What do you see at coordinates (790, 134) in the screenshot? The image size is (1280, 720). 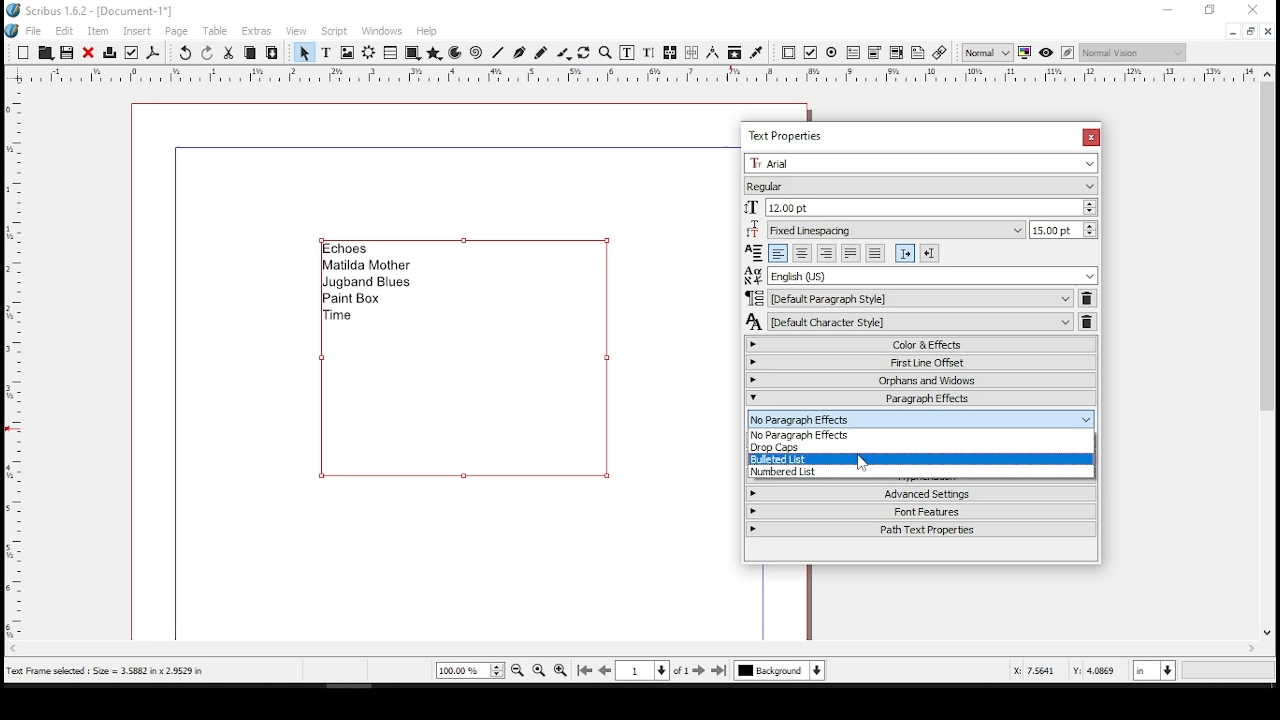 I see `text properties` at bounding box center [790, 134].